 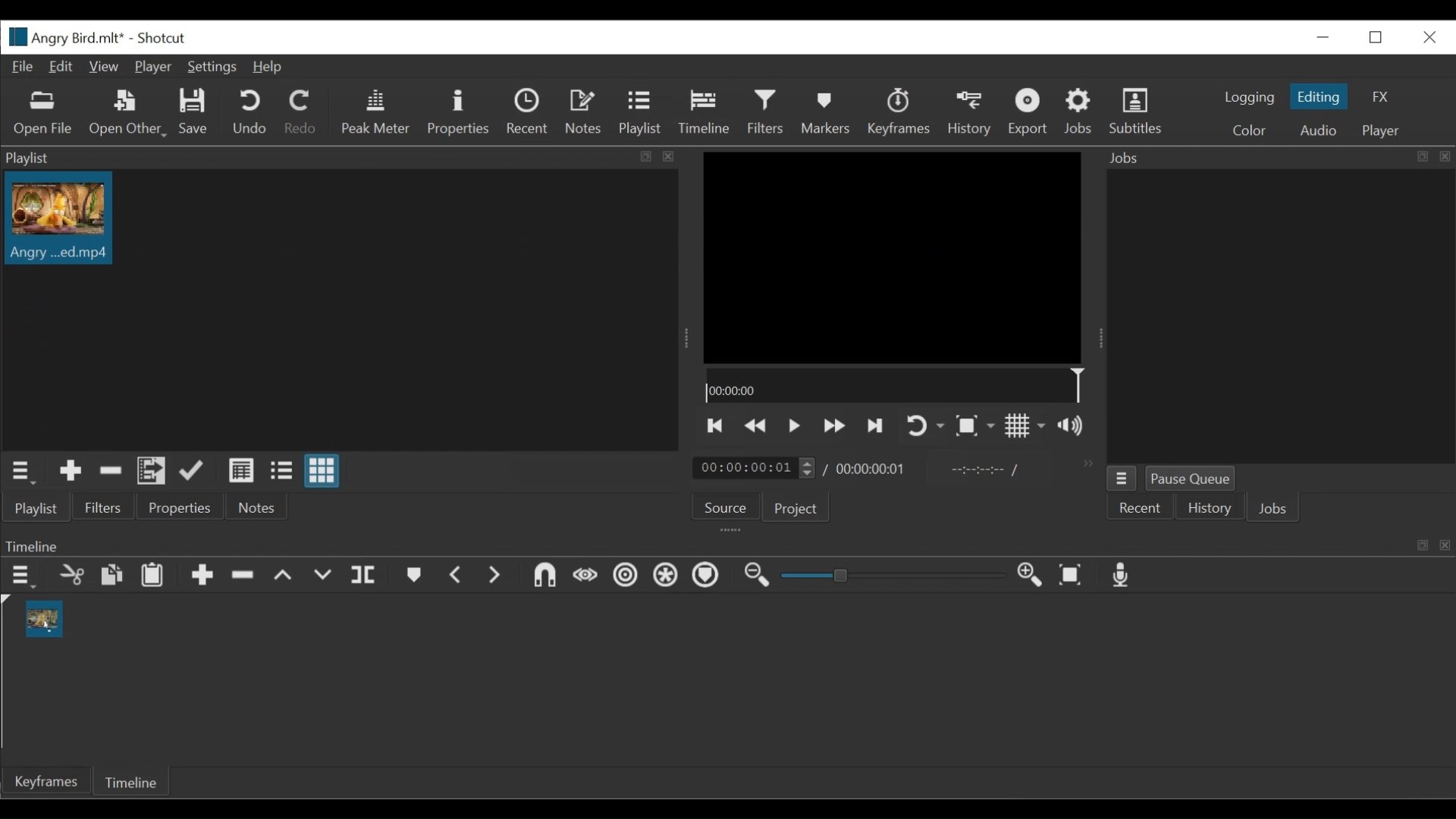 What do you see at coordinates (128, 114) in the screenshot?
I see `Open Other` at bounding box center [128, 114].